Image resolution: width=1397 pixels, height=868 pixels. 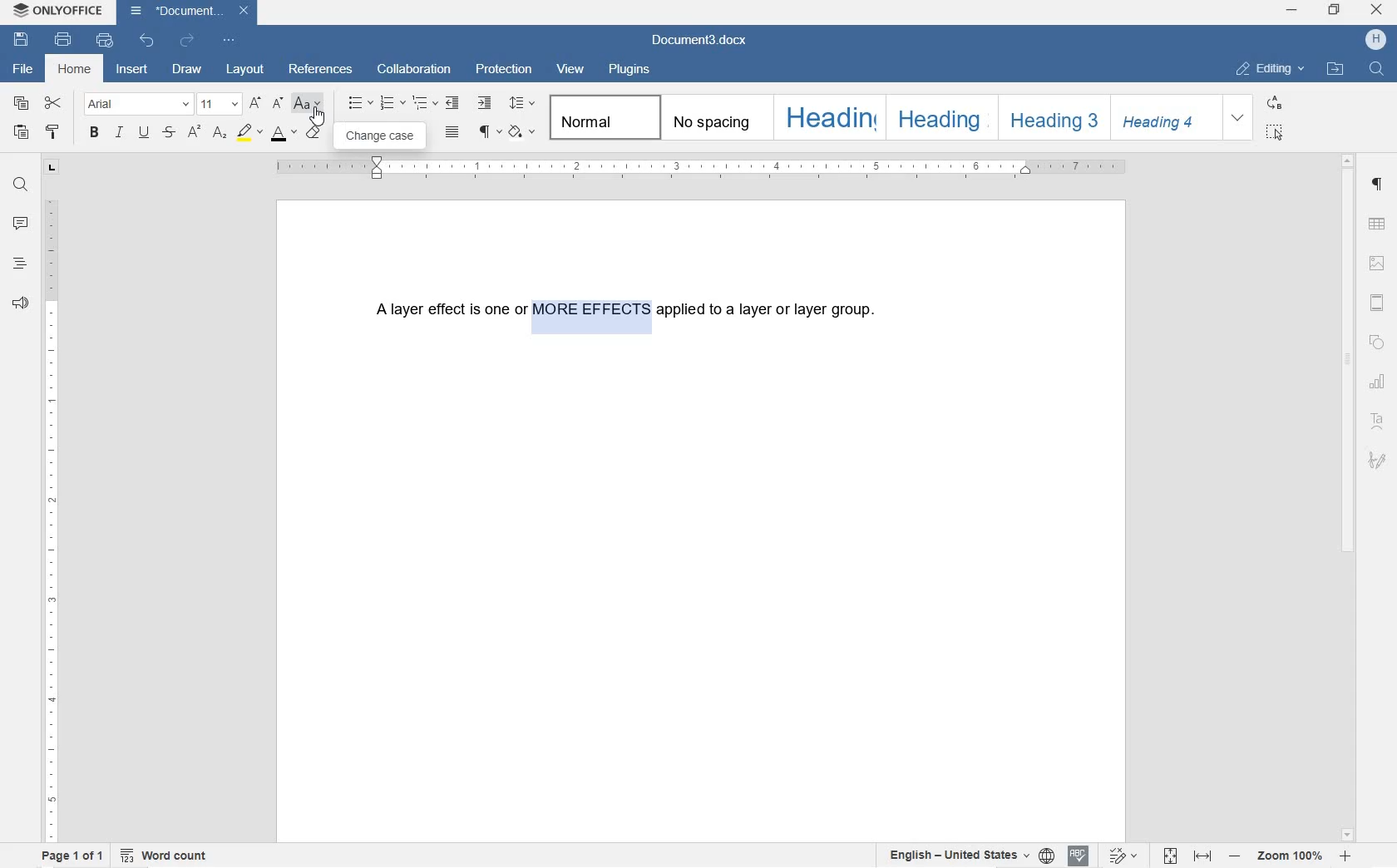 I want to click on SHADING, so click(x=523, y=131).